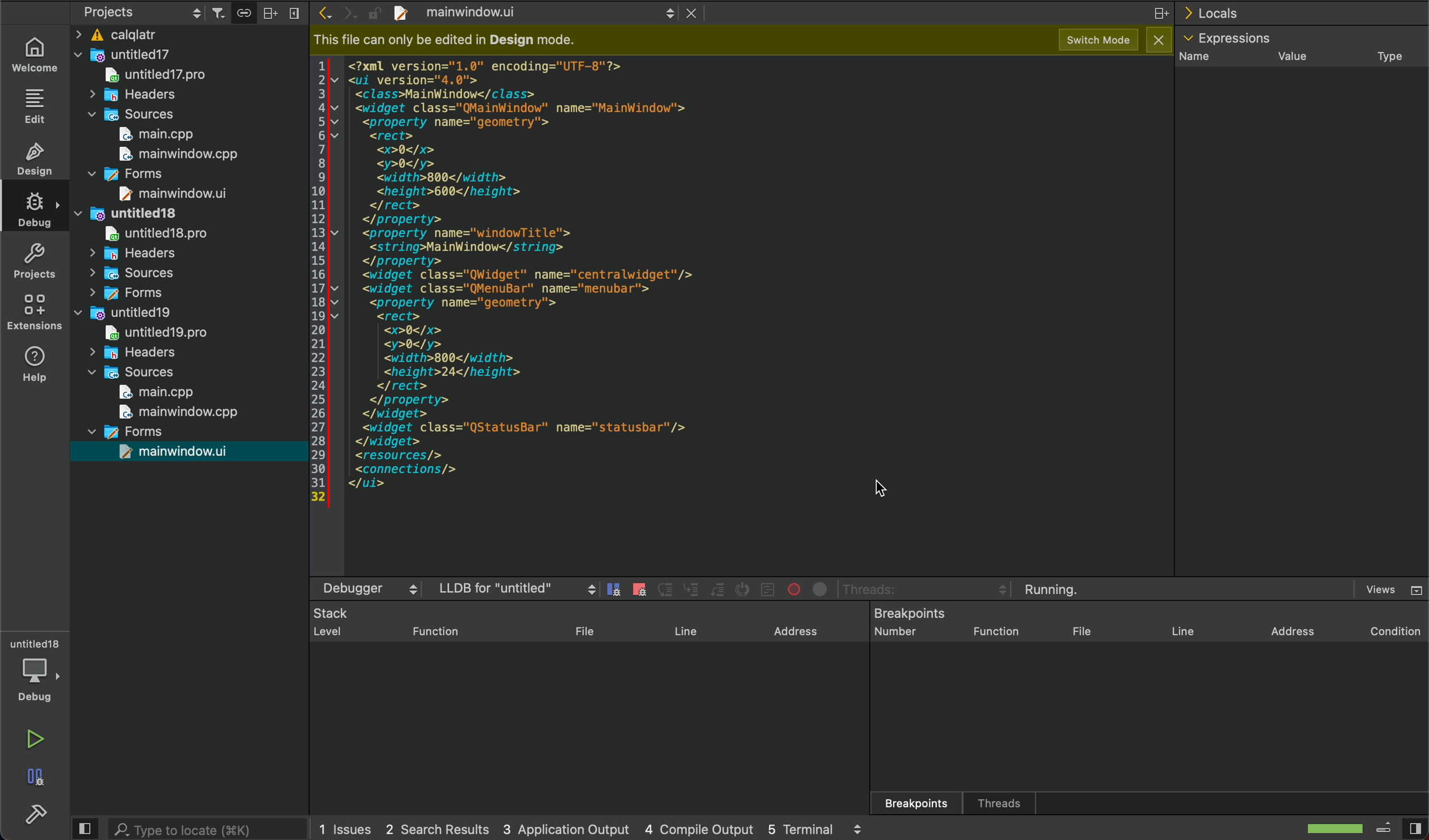 The image size is (1429, 840). Describe the element at coordinates (1081, 40) in the screenshot. I see `Switch Mode` at that location.